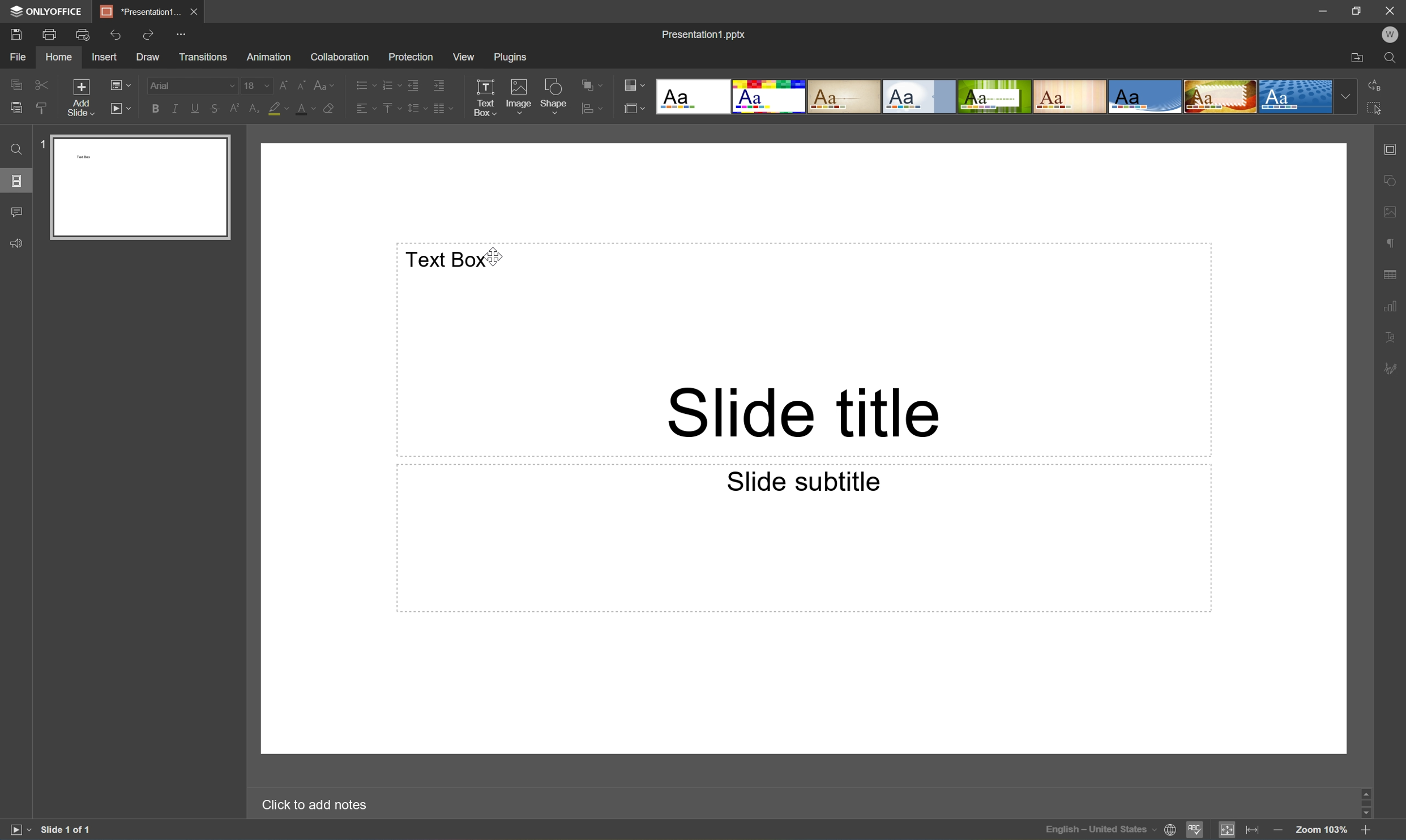 This screenshot has height=840, width=1406. I want to click on Slide settings, so click(1395, 150).